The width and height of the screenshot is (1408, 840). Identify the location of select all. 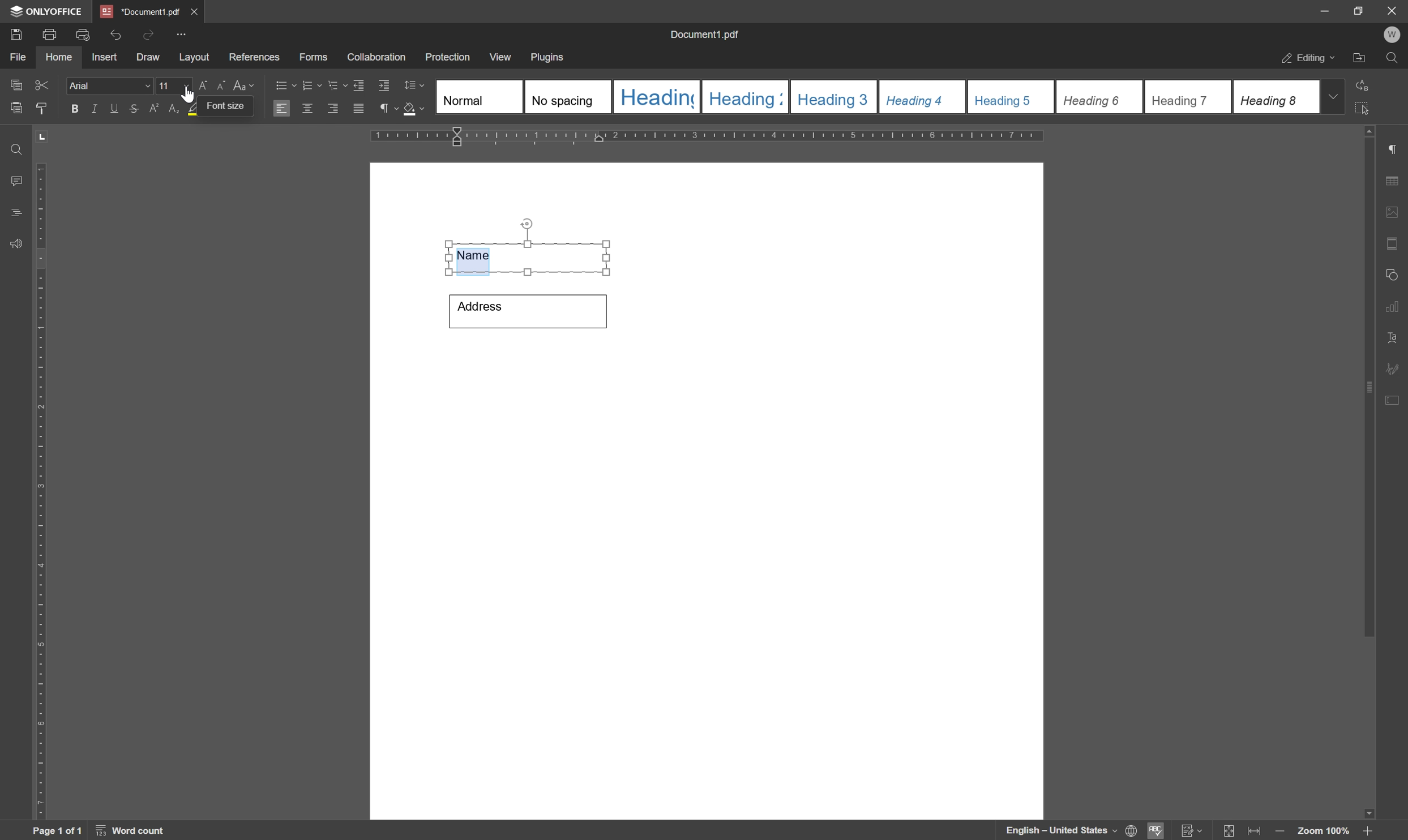
(1368, 108).